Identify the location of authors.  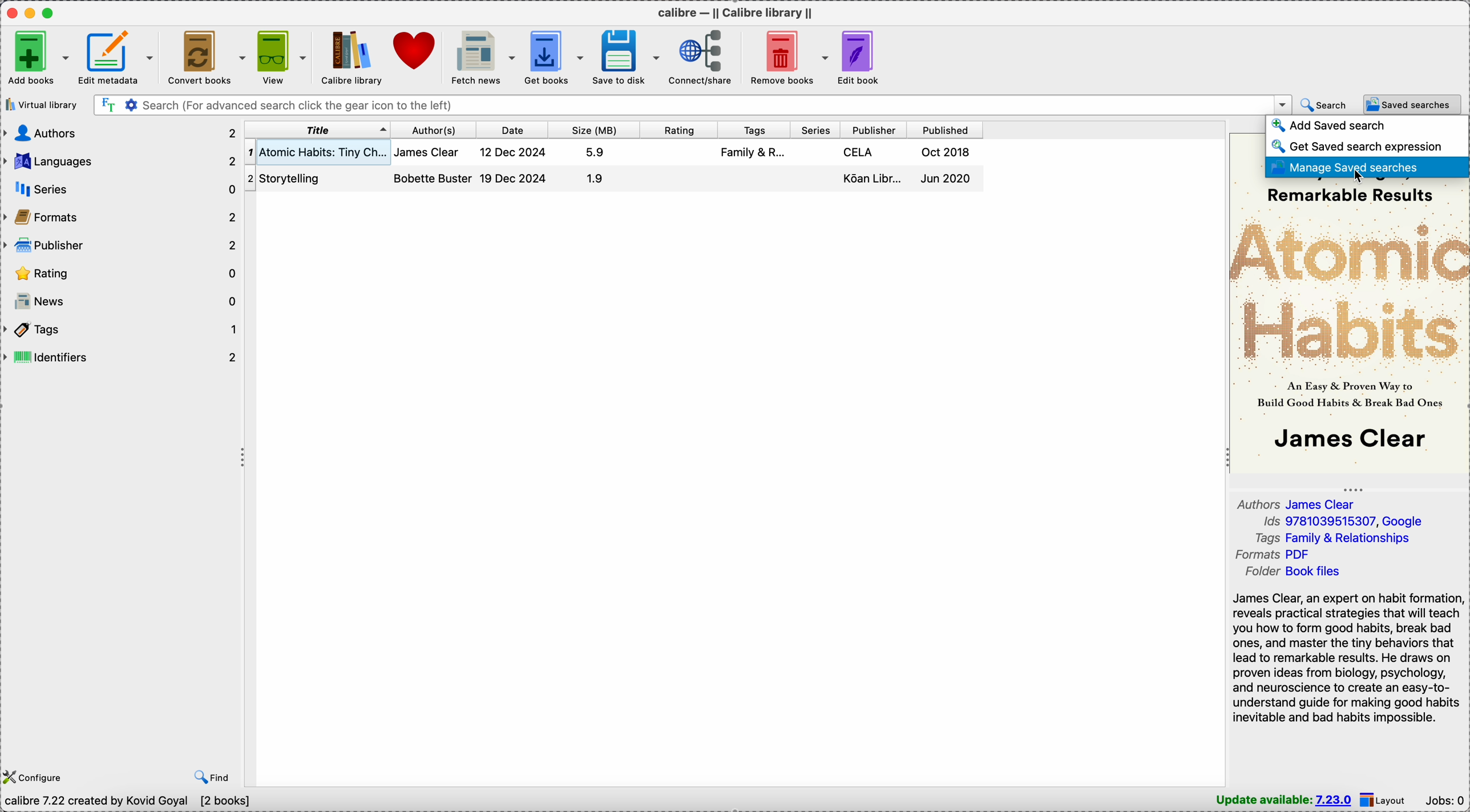
(433, 168).